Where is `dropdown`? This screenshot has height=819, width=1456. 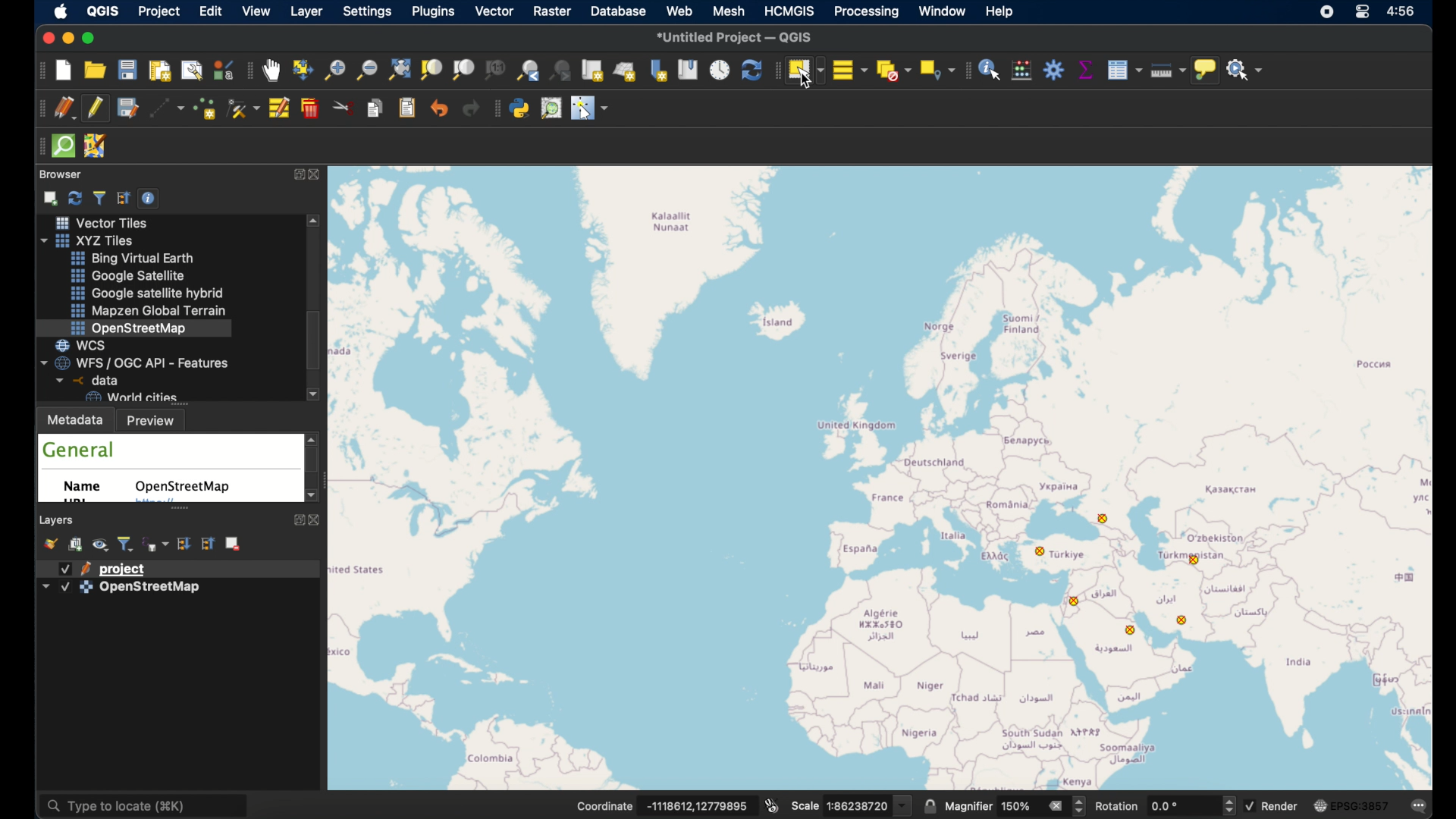
dropdown is located at coordinates (903, 805).